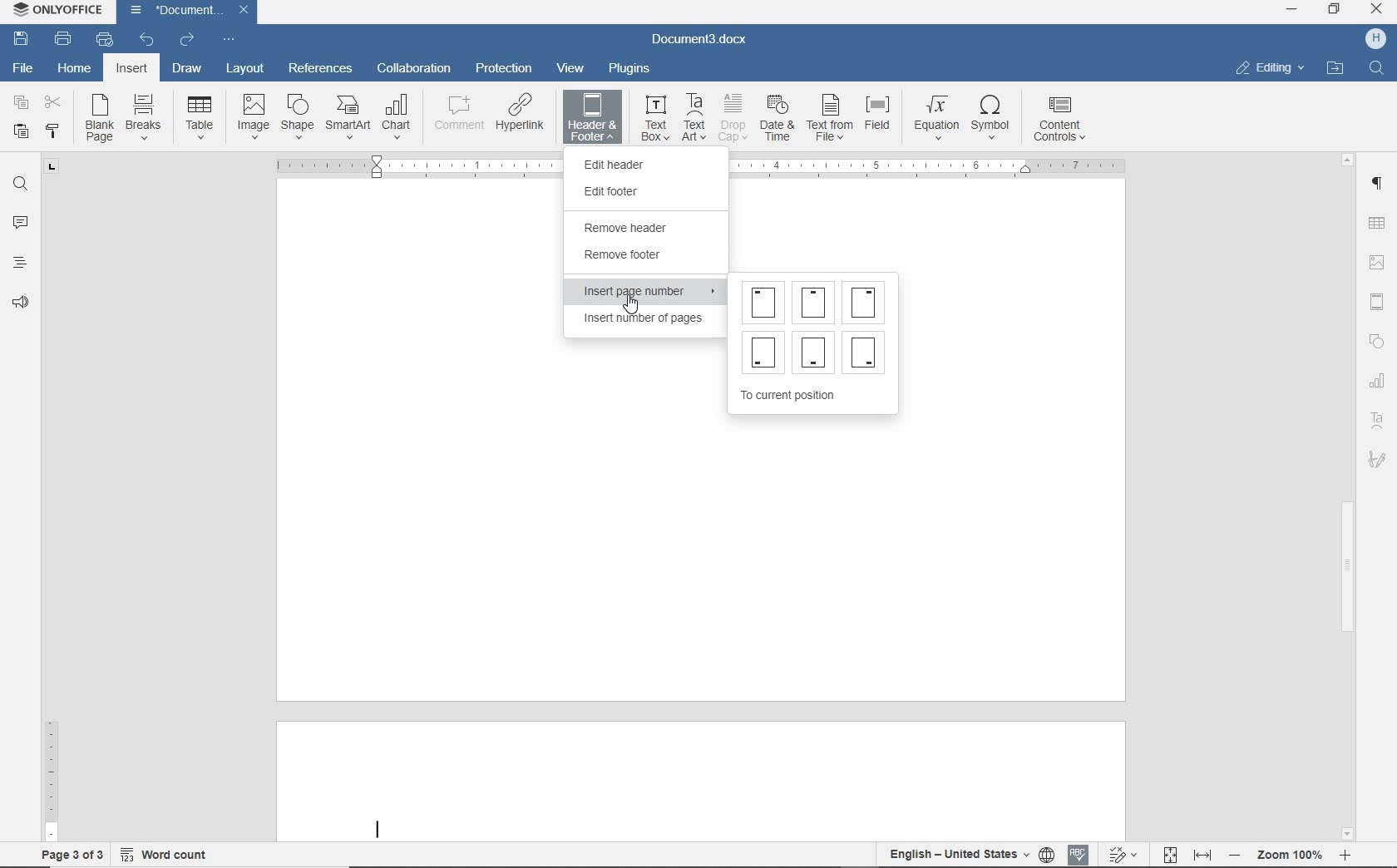 This screenshot has height=868, width=1397. Describe the element at coordinates (631, 191) in the screenshot. I see `EDIT FOOTER` at that location.